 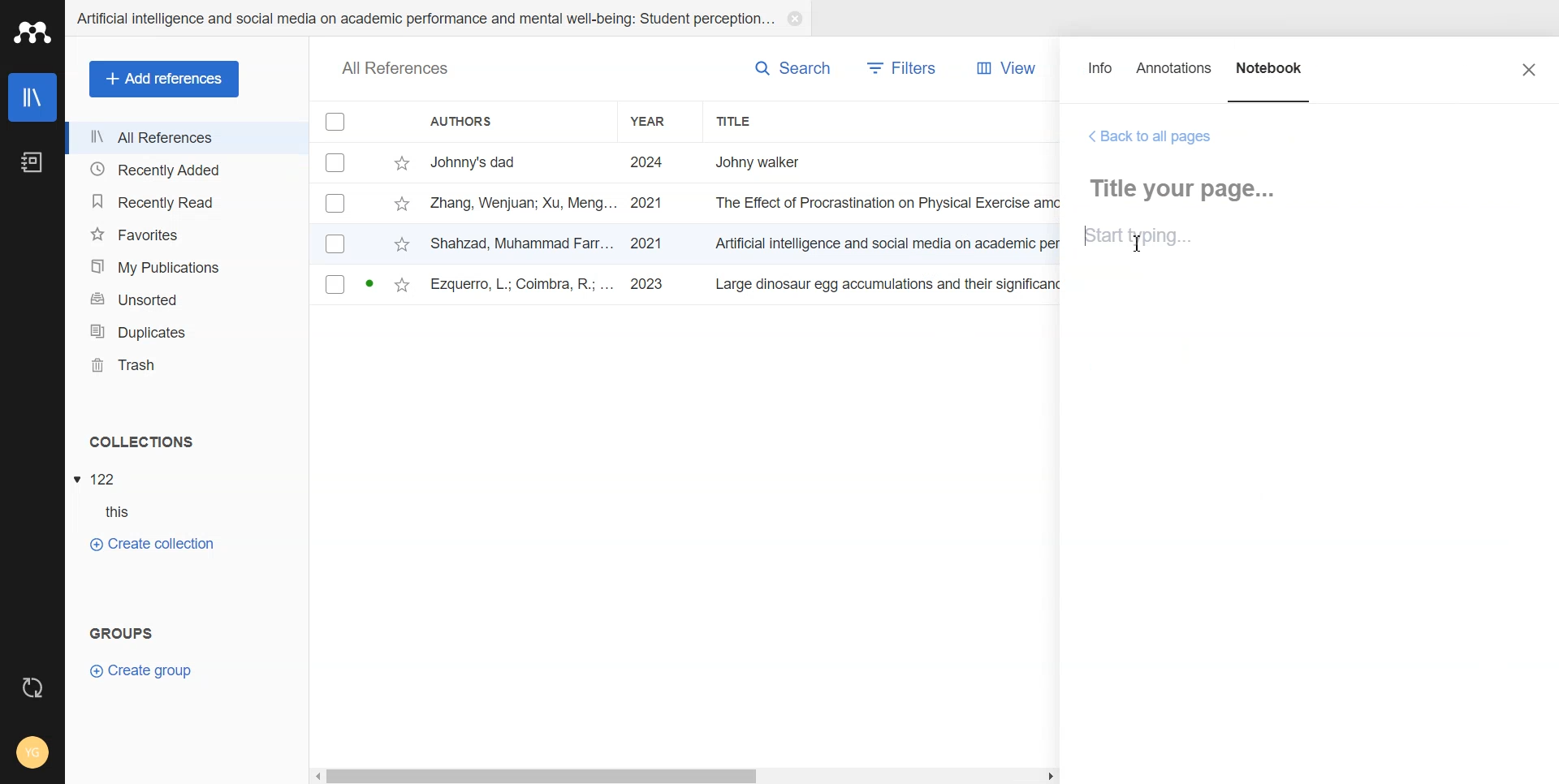 I want to click on Collections, so click(x=188, y=442).